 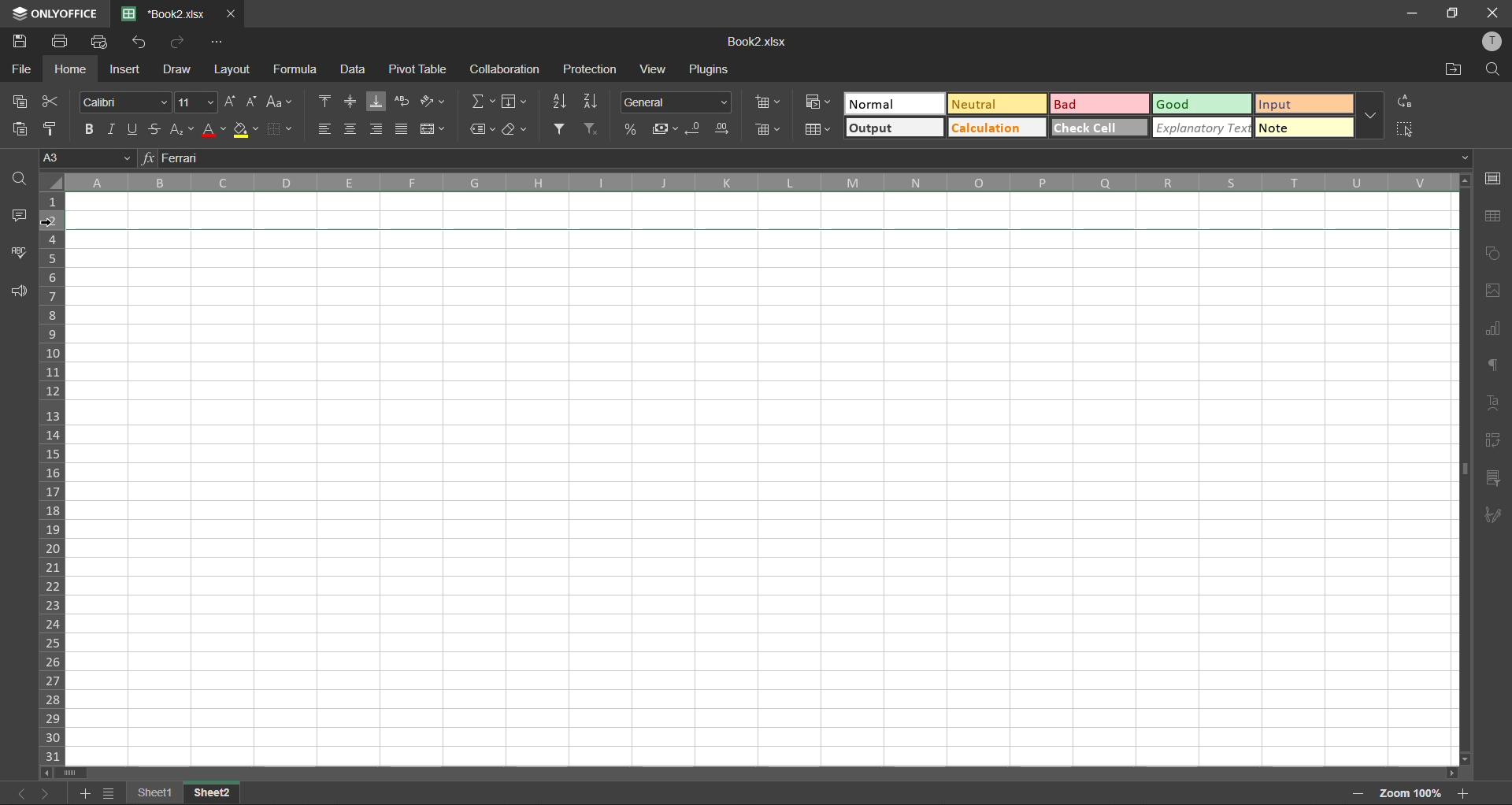 What do you see at coordinates (56, 129) in the screenshot?
I see `copy style` at bounding box center [56, 129].